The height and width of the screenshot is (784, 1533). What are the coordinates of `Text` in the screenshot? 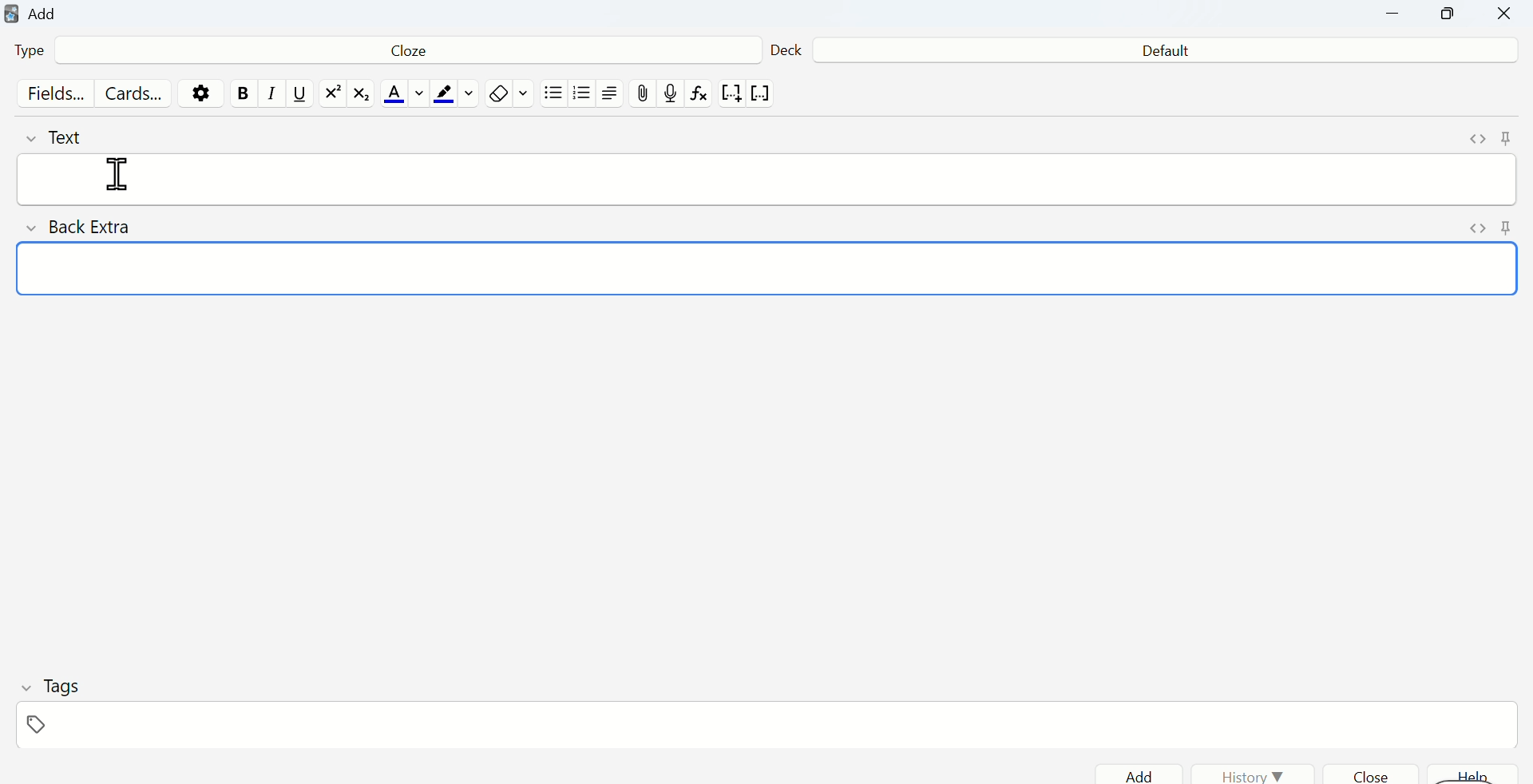 It's located at (65, 137).